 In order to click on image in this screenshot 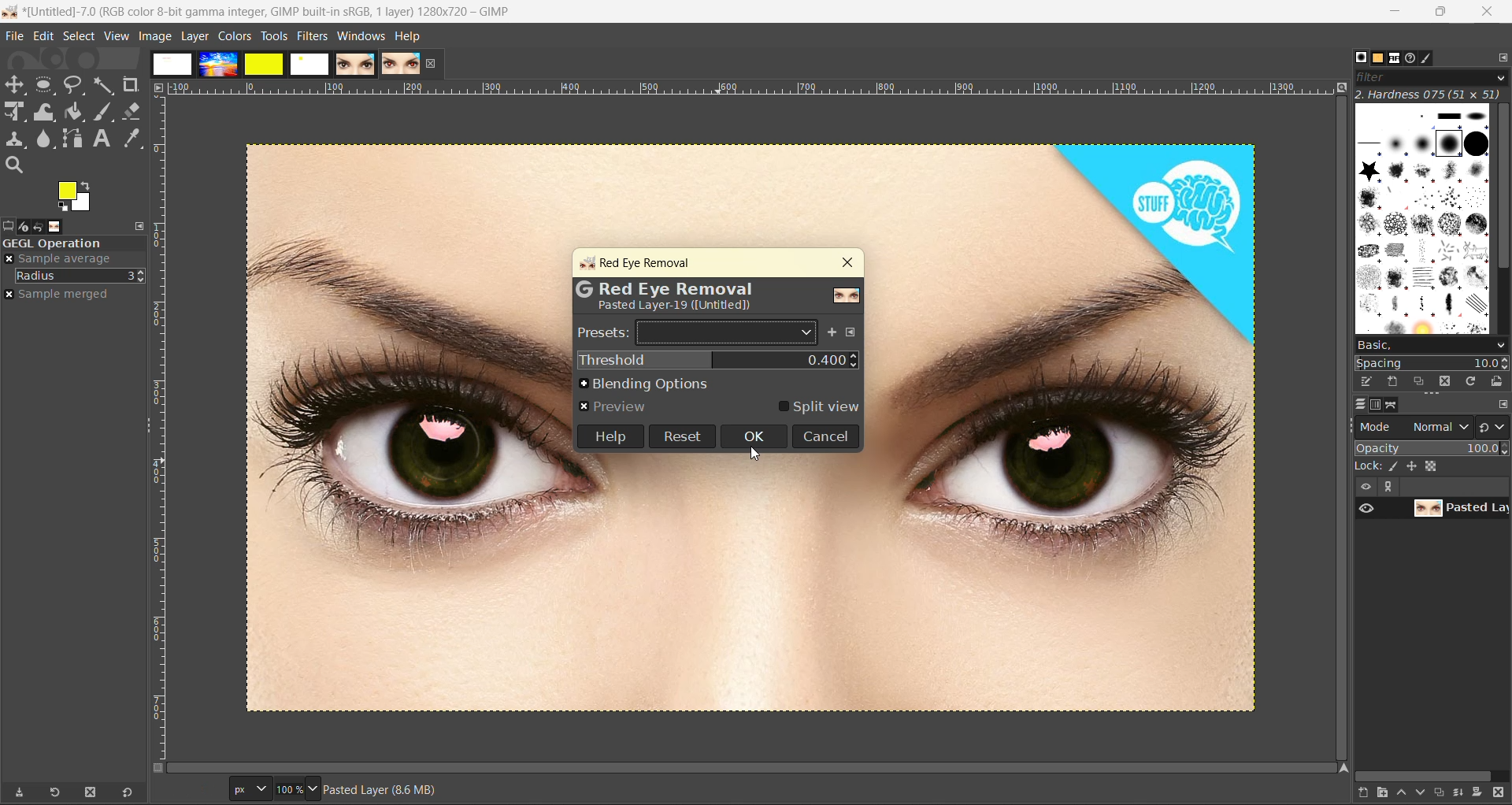, I will do `click(152, 36)`.